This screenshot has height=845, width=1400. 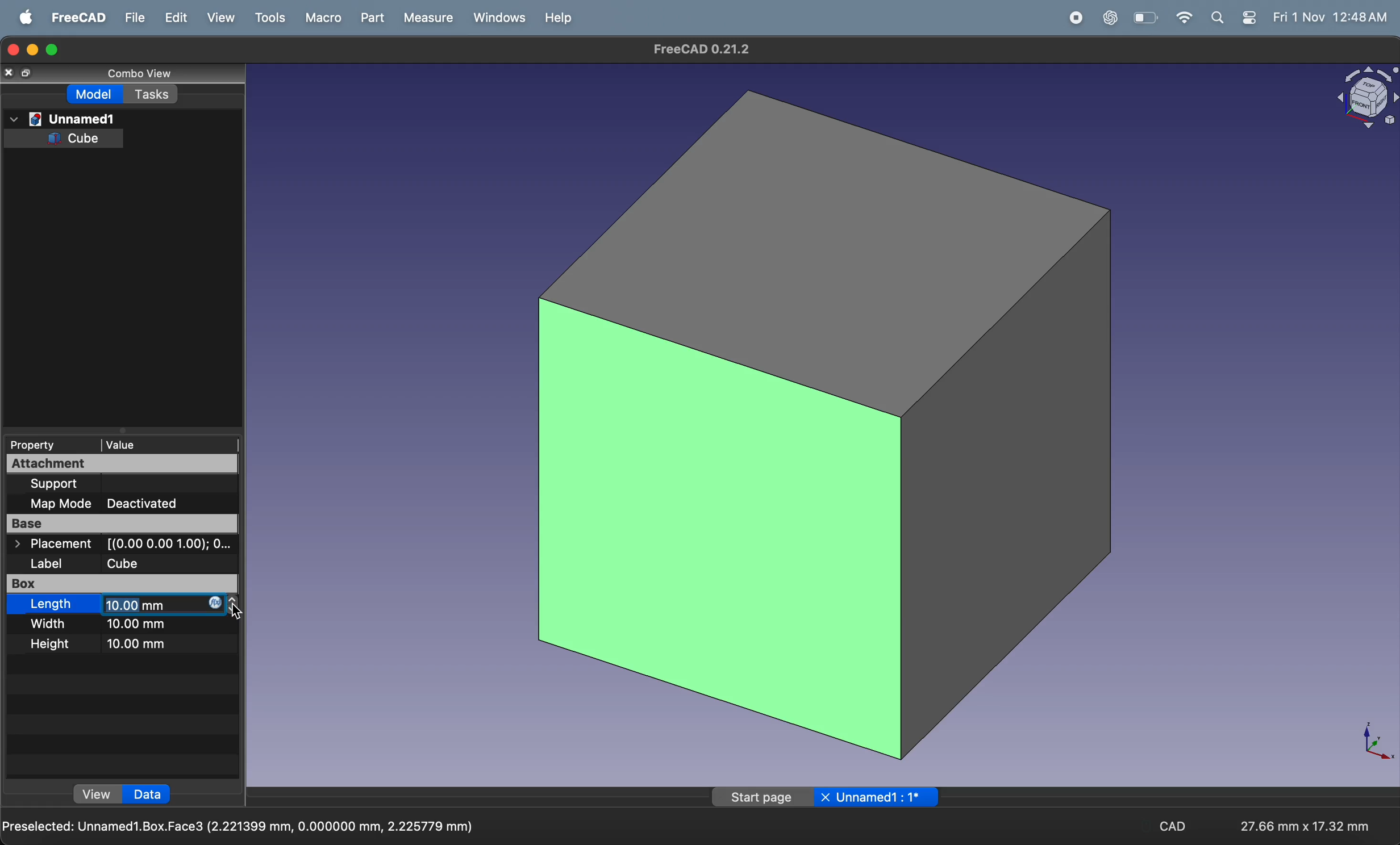 What do you see at coordinates (556, 18) in the screenshot?
I see `help` at bounding box center [556, 18].